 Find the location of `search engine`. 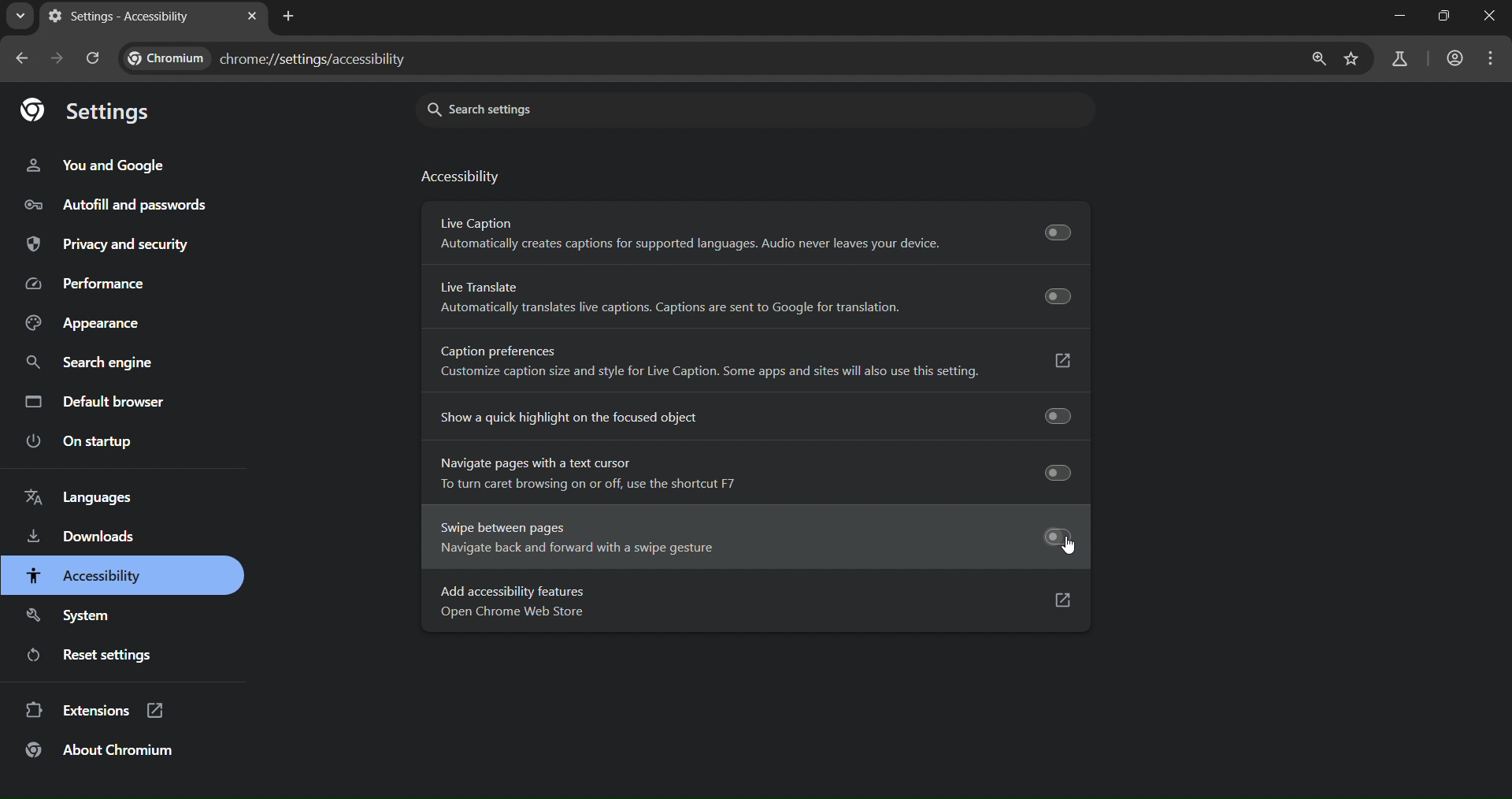

search engine is located at coordinates (86, 360).